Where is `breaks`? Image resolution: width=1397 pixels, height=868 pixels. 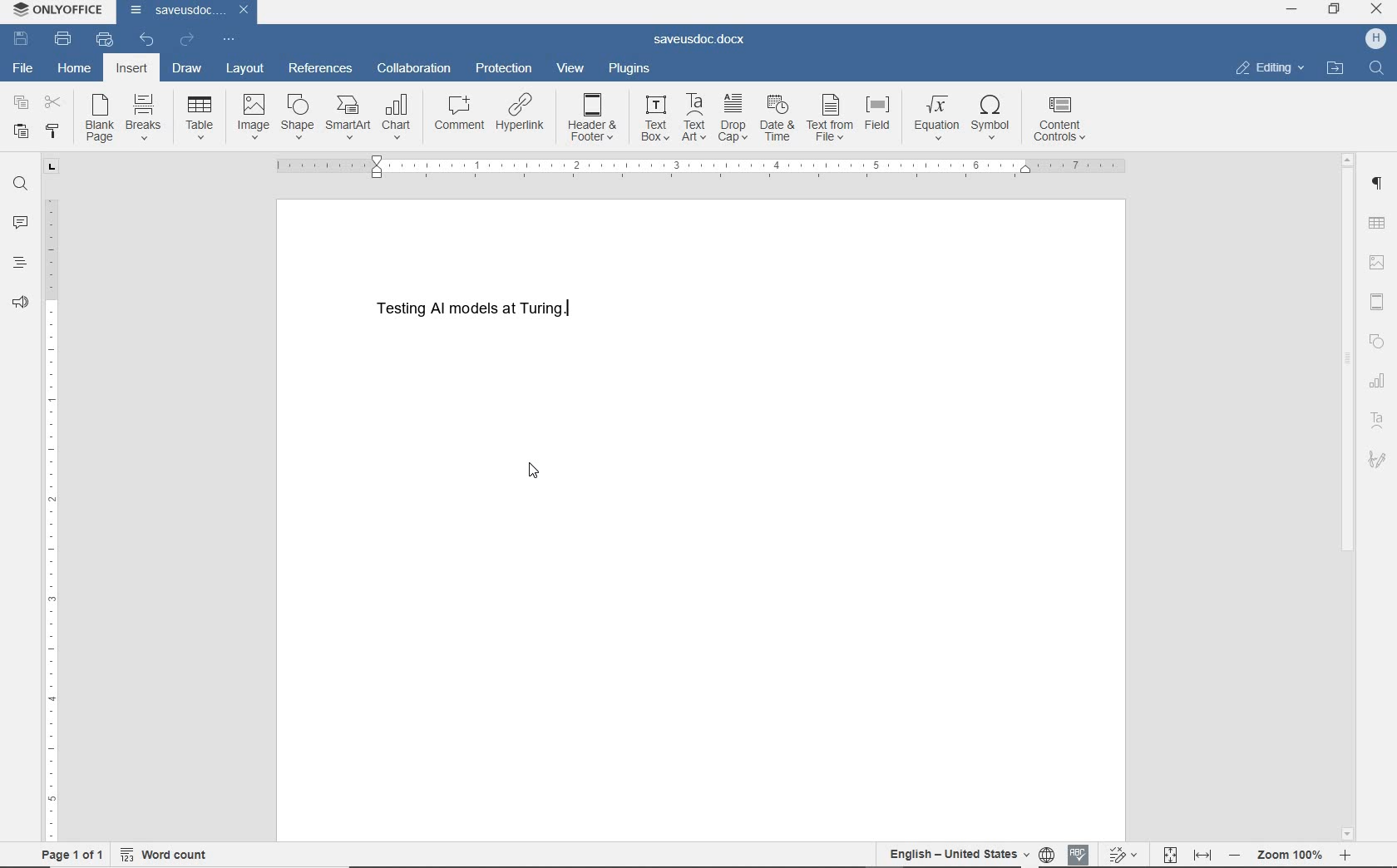 breaks is located at coordinates (143, 121).